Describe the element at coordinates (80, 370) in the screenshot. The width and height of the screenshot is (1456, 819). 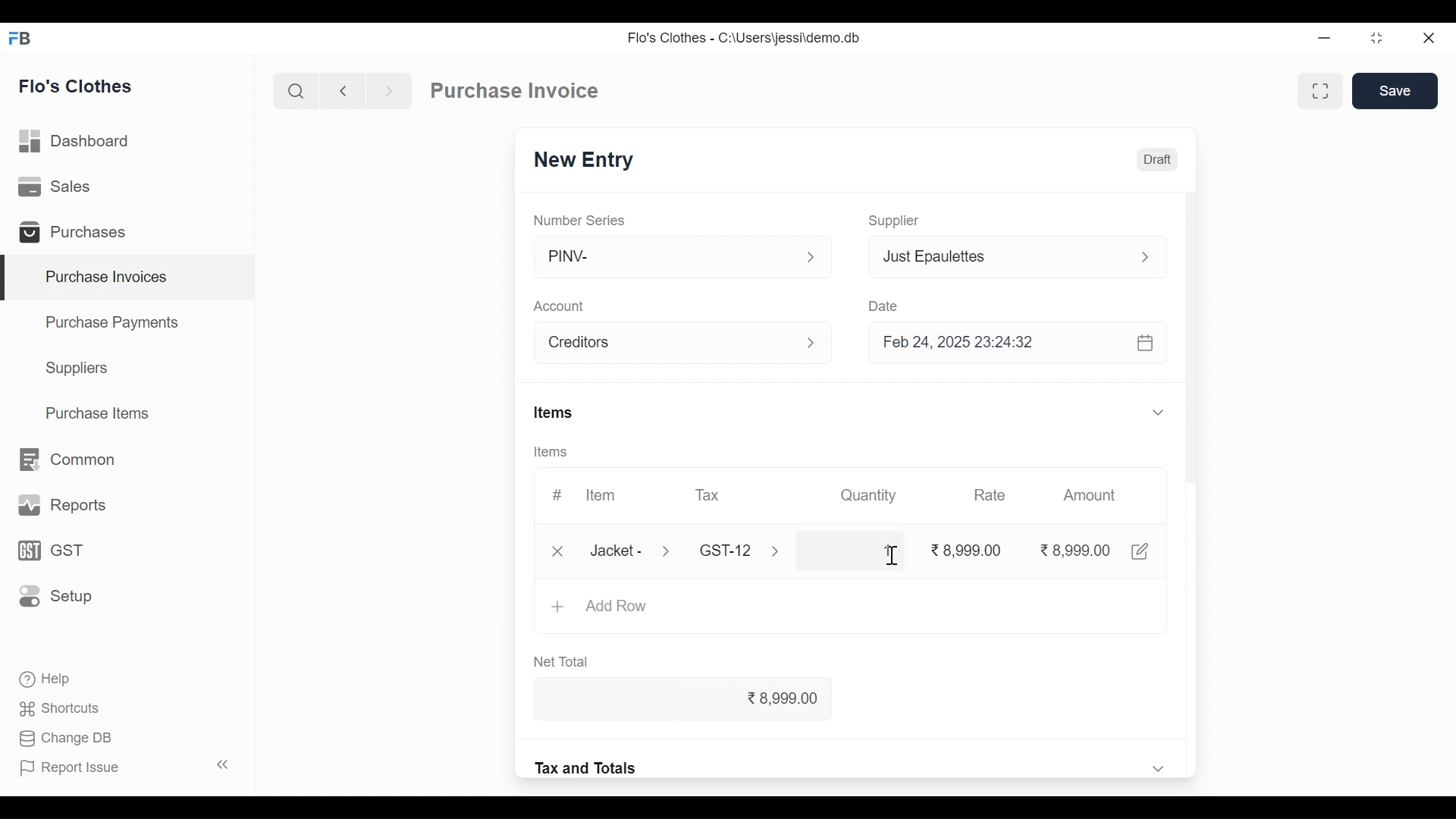
I see `Suppliers` at that location.